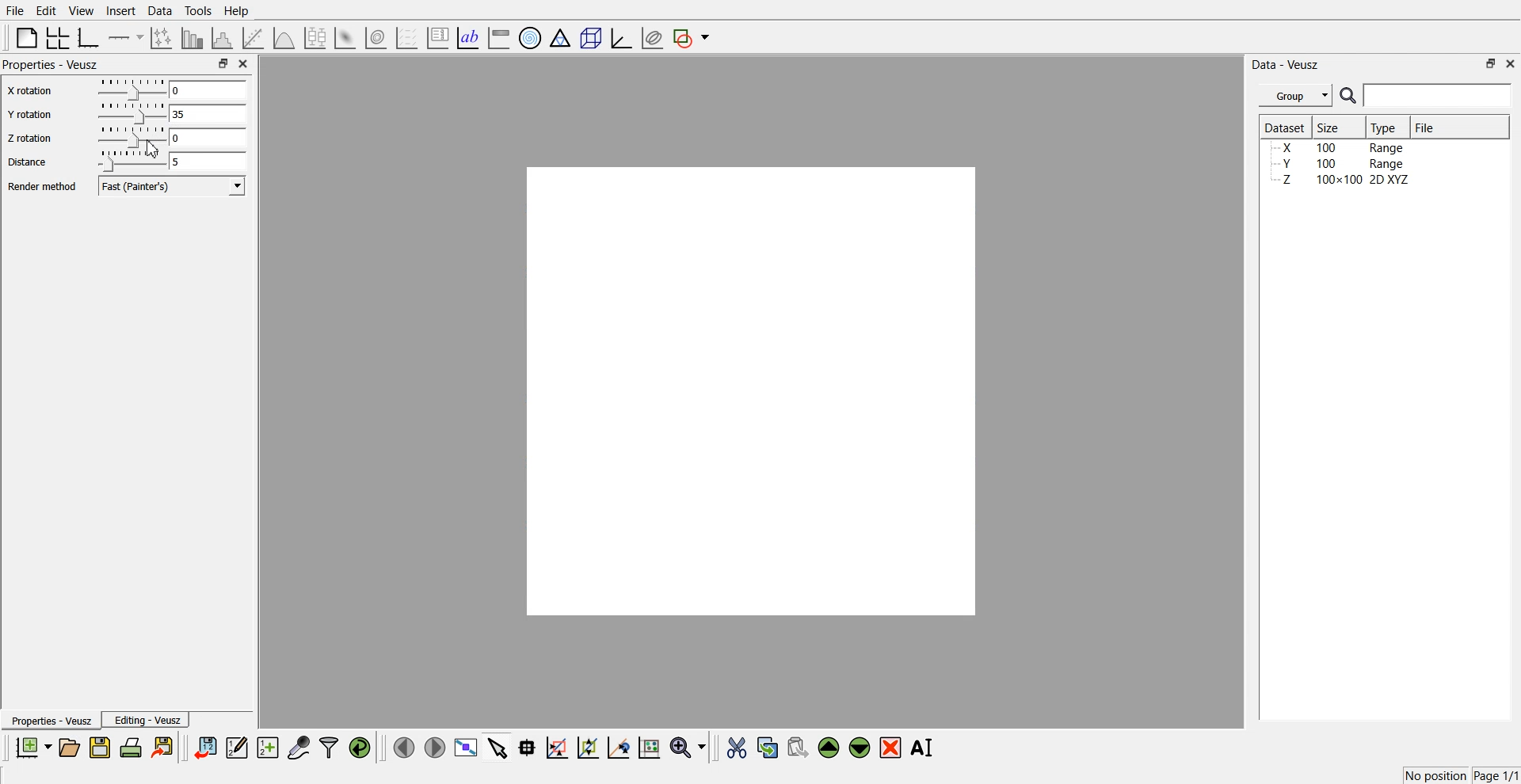  I want to click on Base Graph, so click(89, 38).